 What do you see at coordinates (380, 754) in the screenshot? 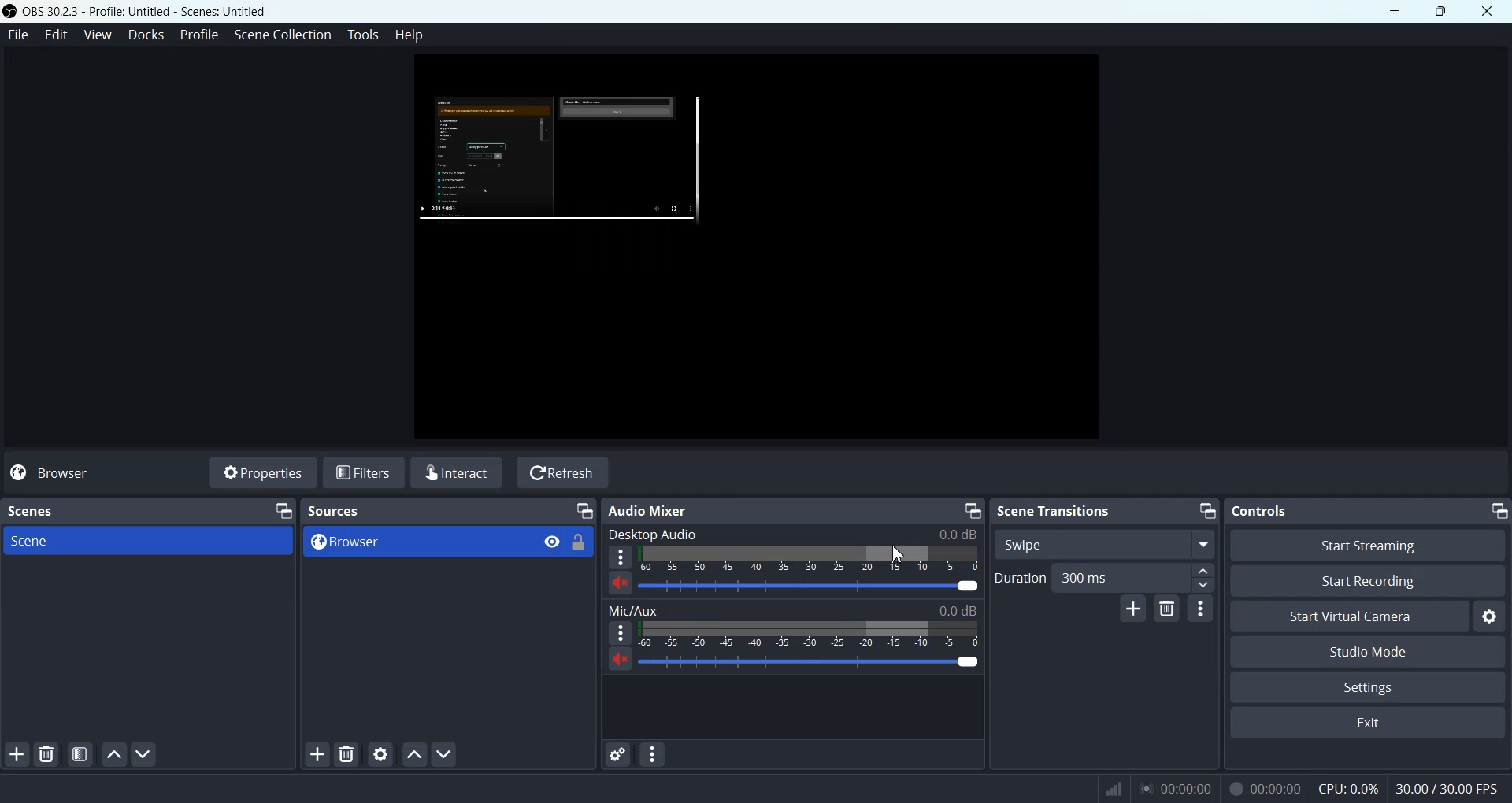
I see `Open source Properties` at bounding box center [380, 754].